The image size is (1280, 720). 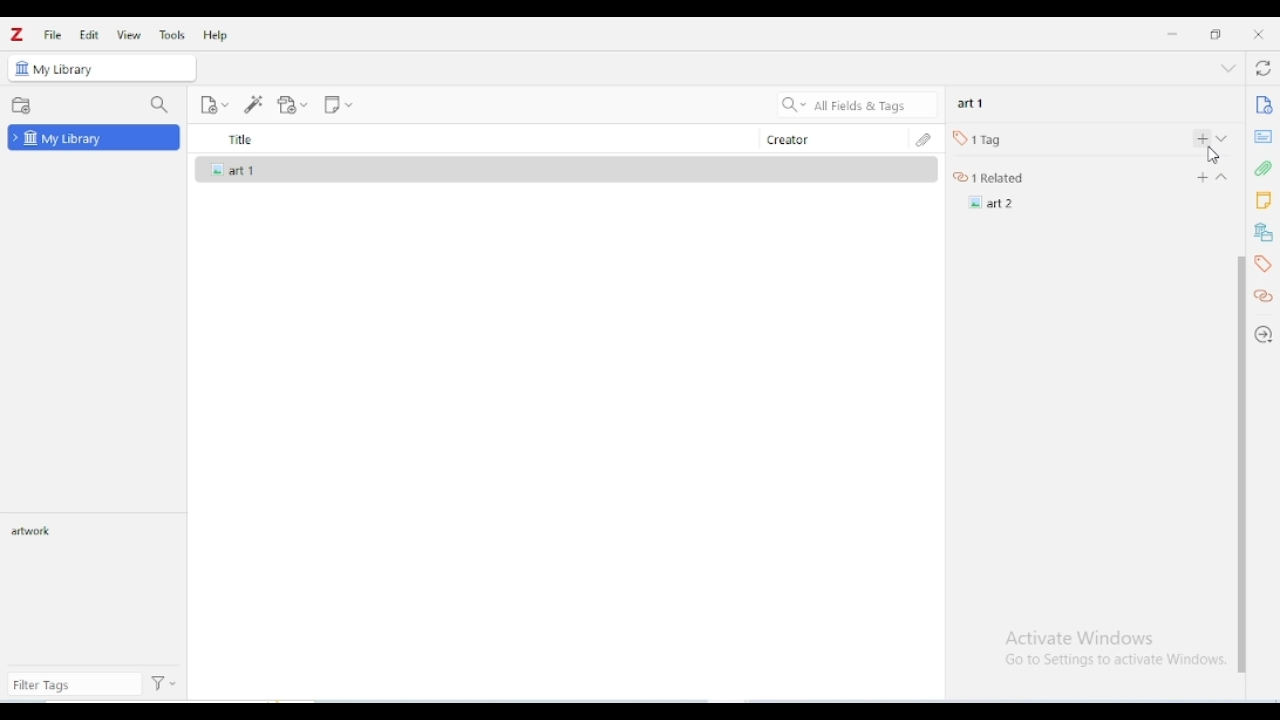 What do you see at coordinates (338, 105) in the screenshot?
I see `new note` at bounding box center [338, 105].